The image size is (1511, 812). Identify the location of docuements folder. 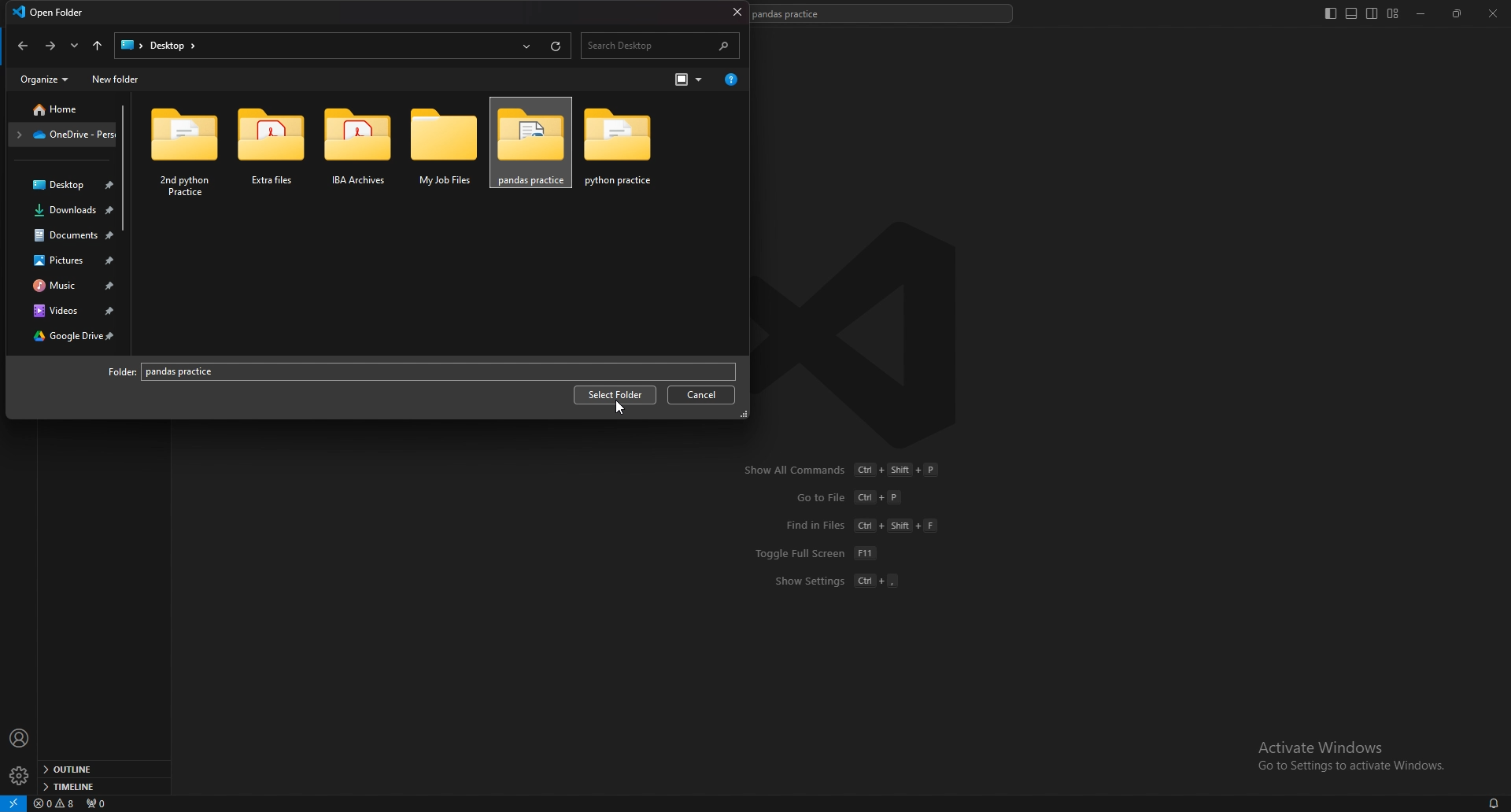
(68, 235).